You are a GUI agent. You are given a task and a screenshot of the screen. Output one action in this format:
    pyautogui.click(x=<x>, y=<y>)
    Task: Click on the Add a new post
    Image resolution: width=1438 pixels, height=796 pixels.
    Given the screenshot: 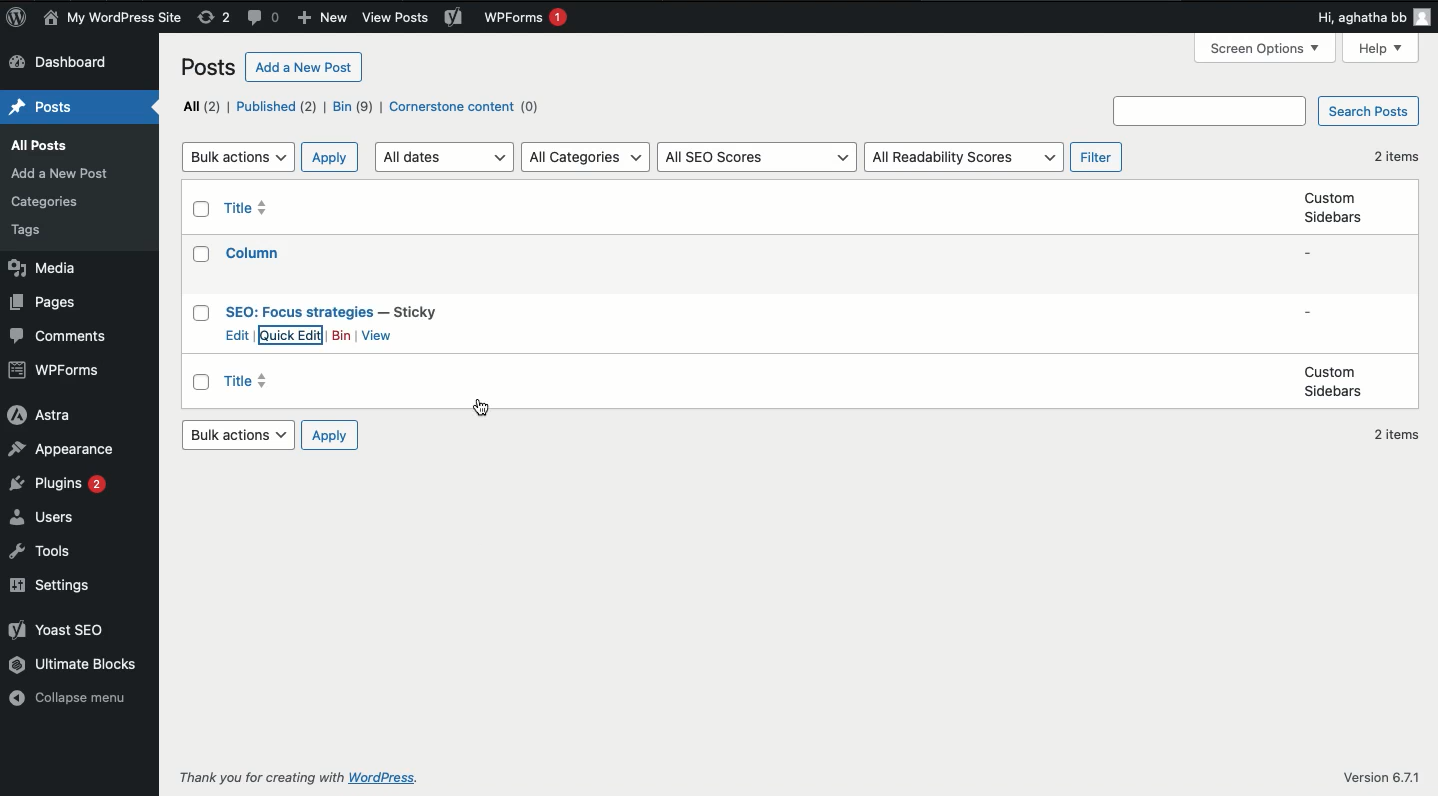 What is the action you would take?
    pyautogui.click(x=305, y=66)
    